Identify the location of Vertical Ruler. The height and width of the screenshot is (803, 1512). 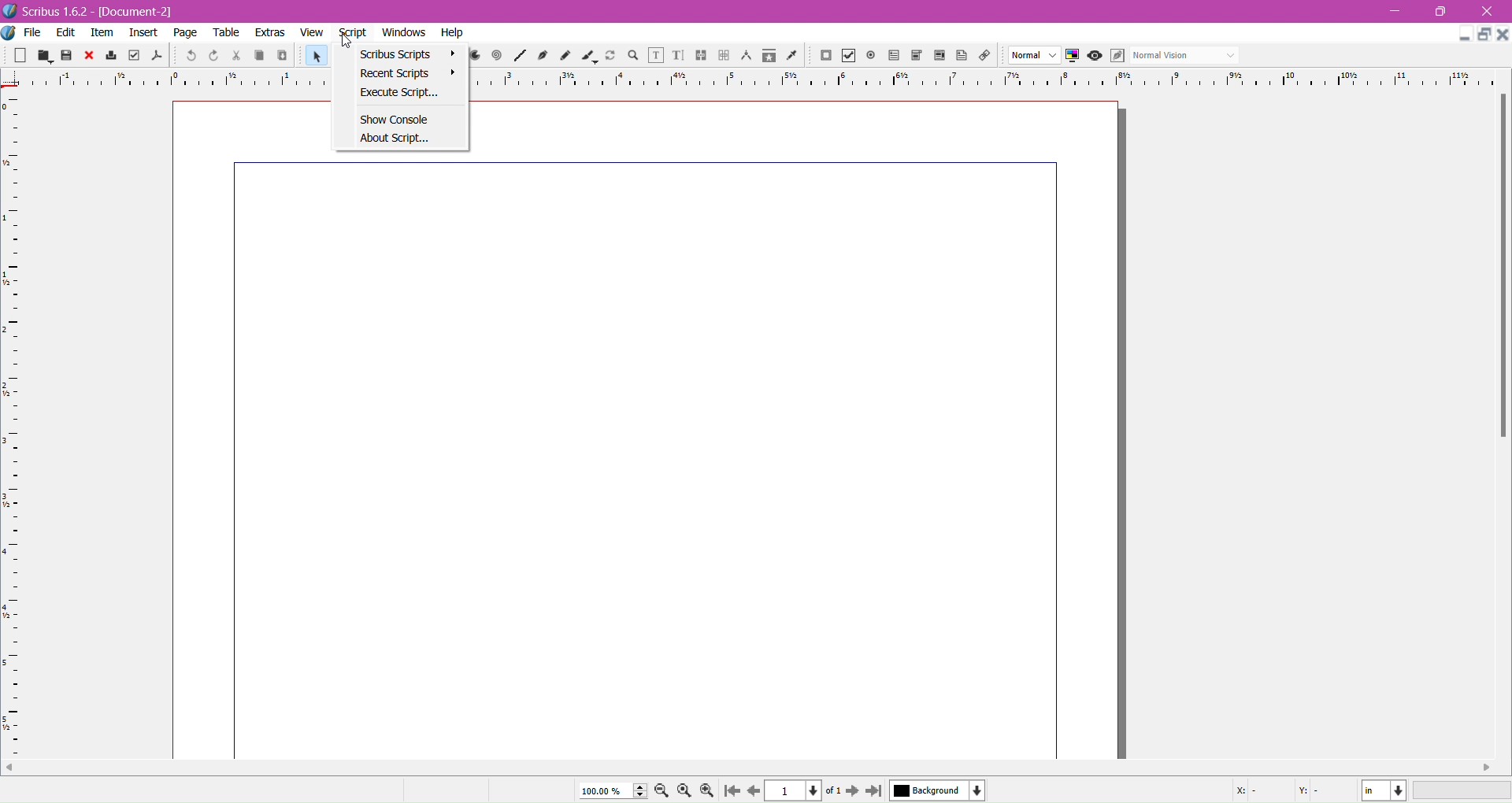
(35, 420).